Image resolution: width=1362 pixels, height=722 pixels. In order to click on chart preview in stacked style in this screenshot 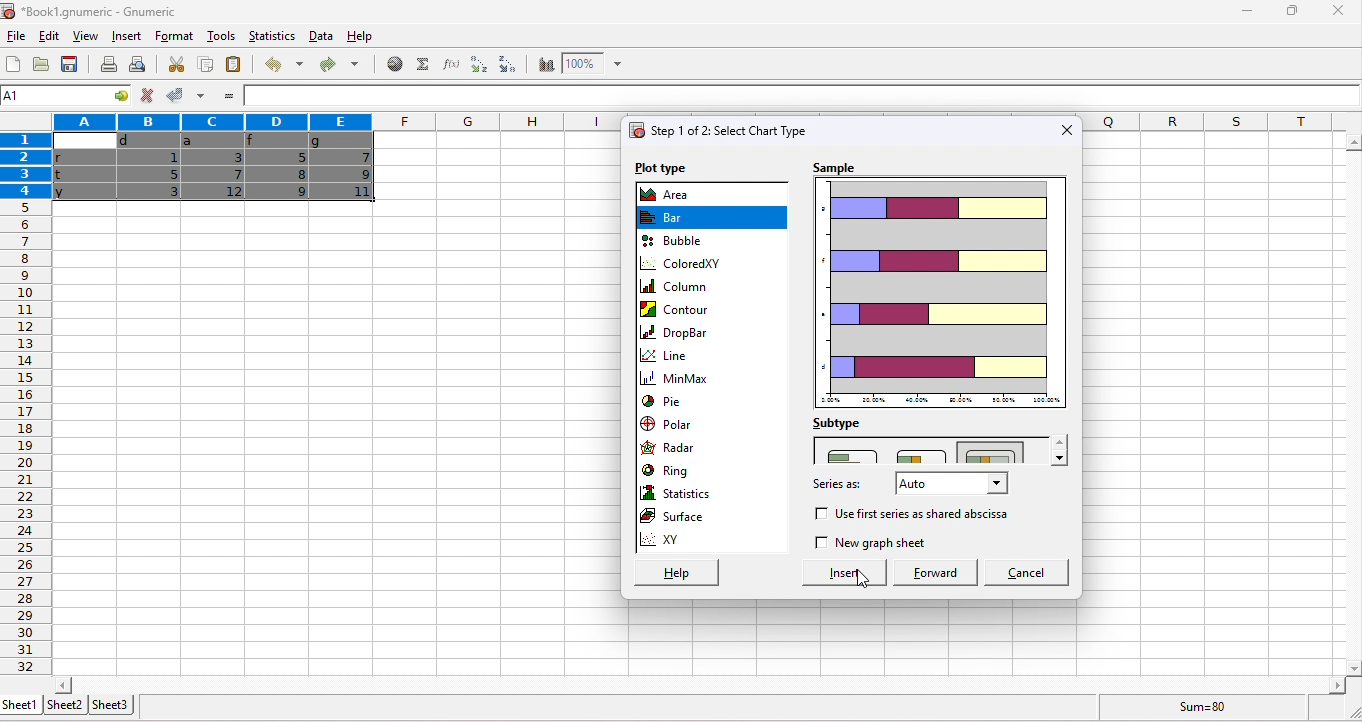, I will do `click(942, 291)`.